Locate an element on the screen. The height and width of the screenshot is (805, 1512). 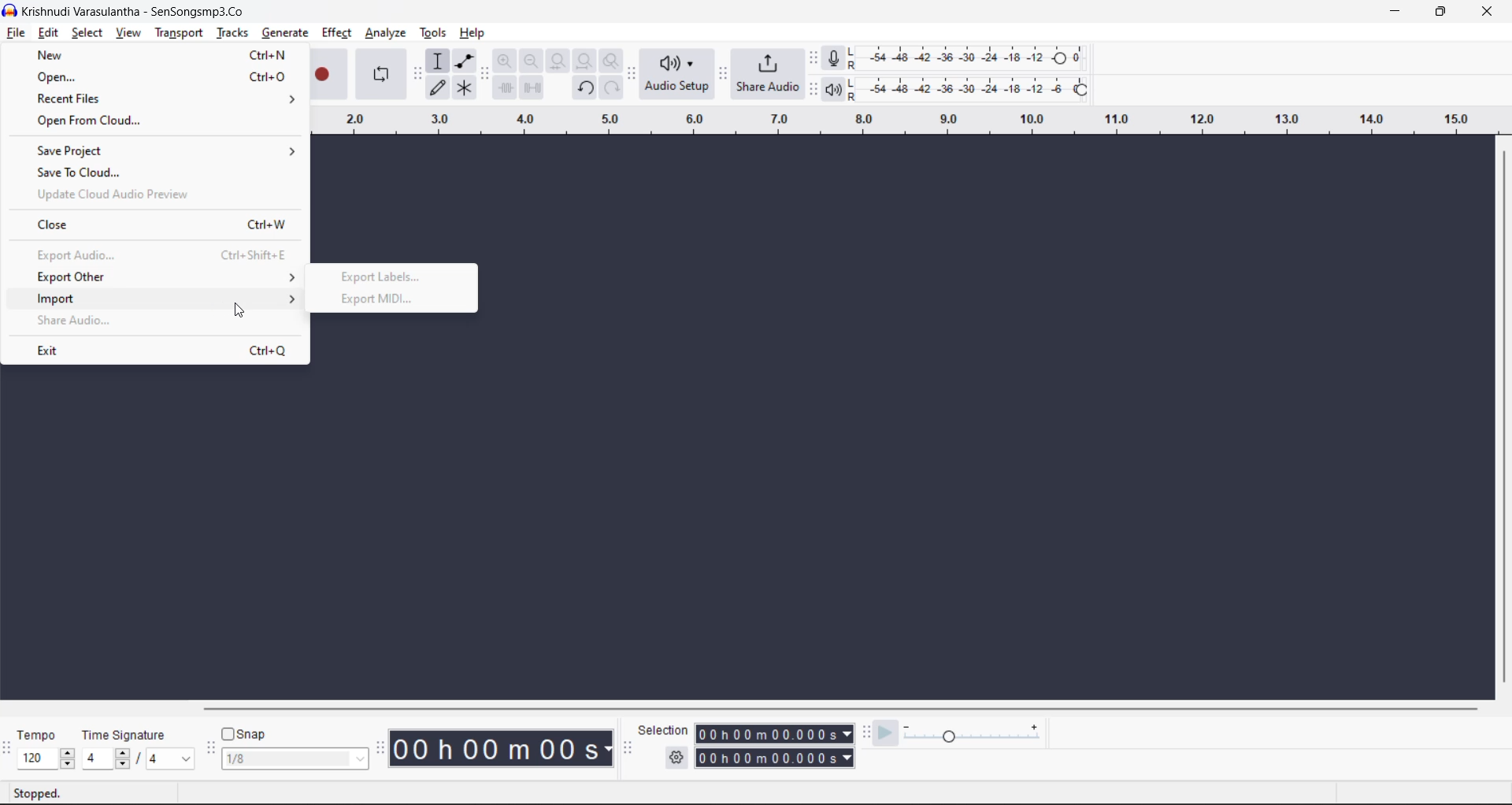
save project is located at coordinates (162, 150).